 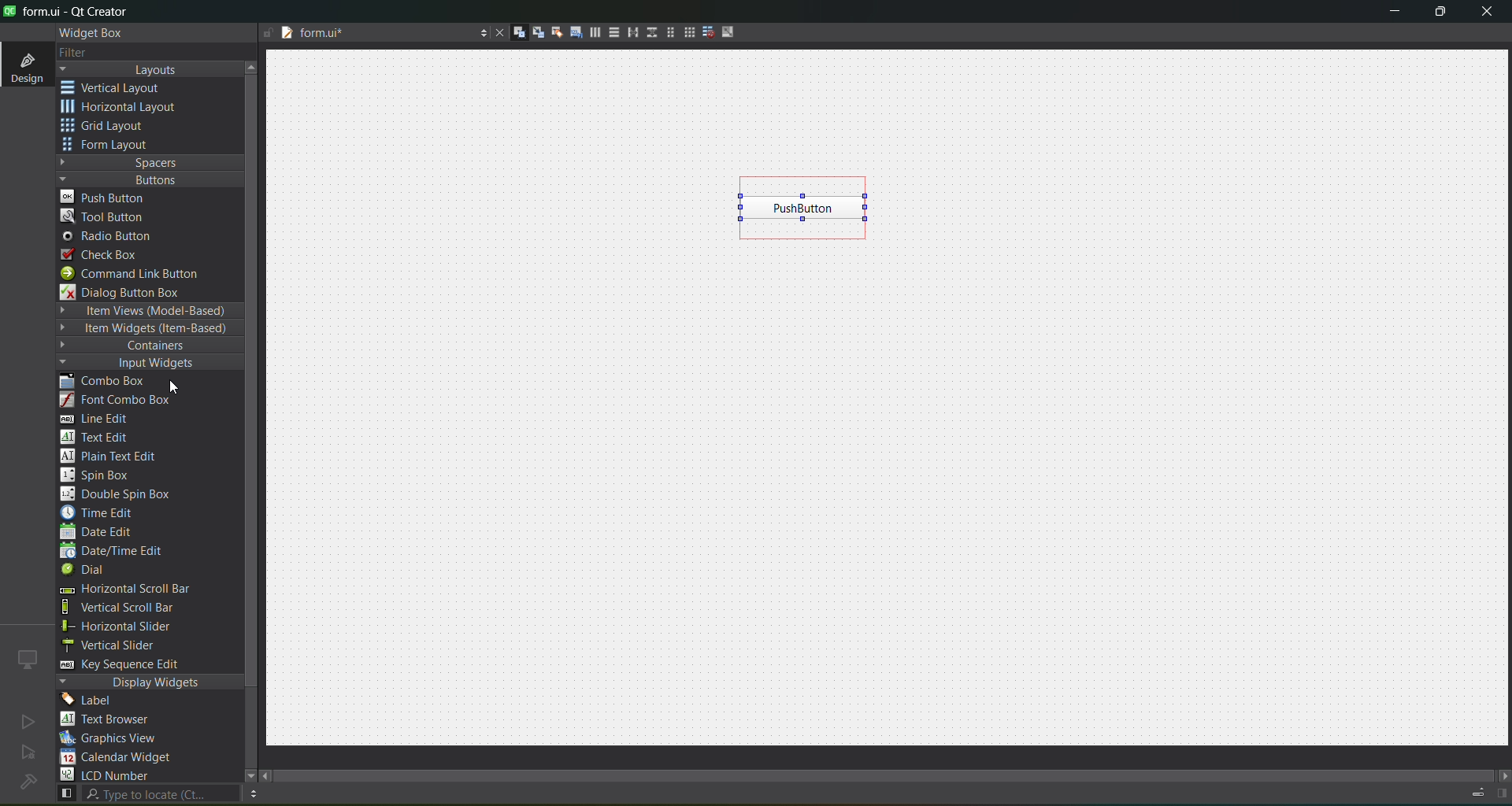 I want to click on tool, so click(x=106, y=216).